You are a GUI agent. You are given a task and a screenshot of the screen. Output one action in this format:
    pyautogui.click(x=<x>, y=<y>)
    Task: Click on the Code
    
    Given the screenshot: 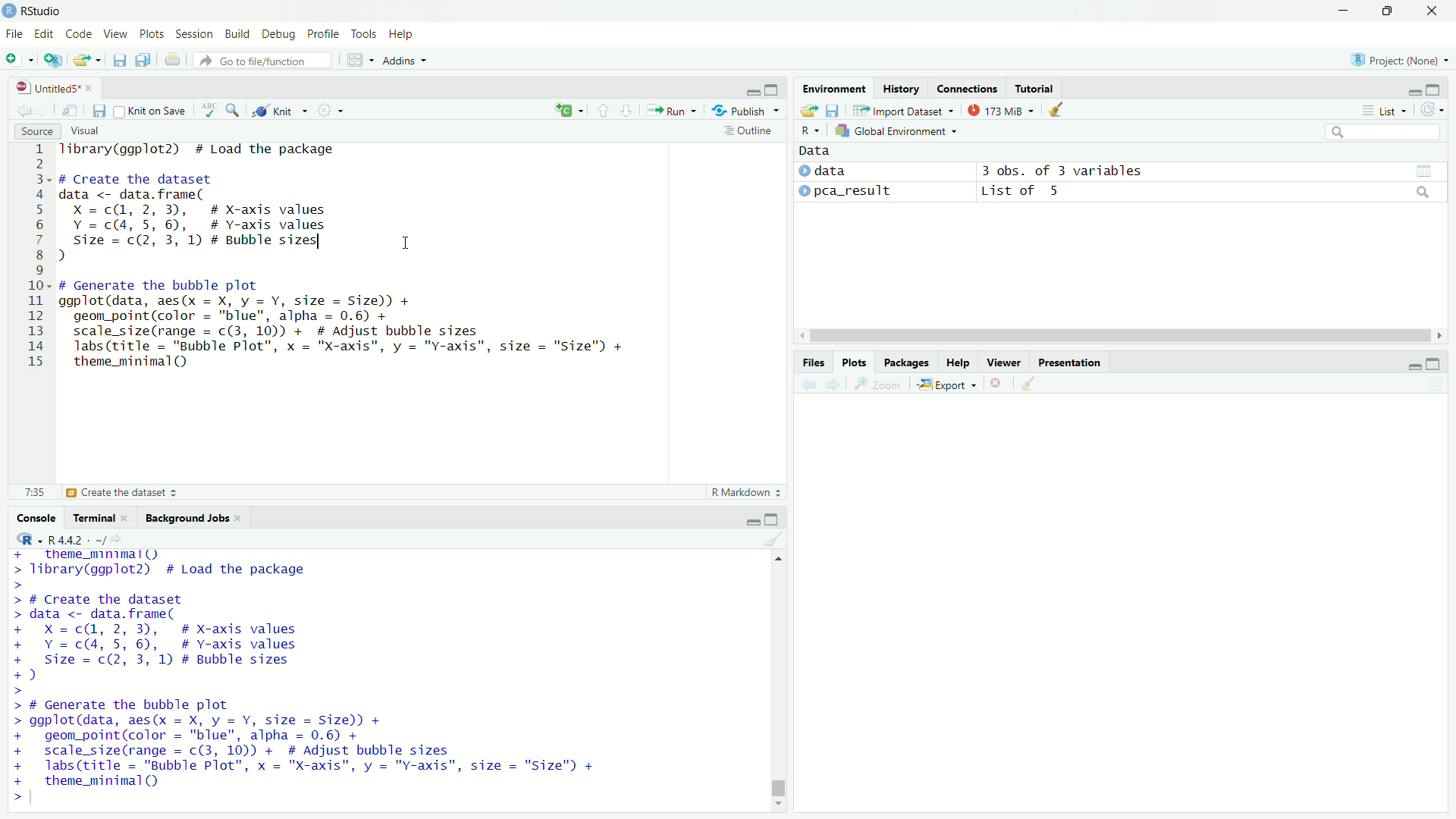 What is the action you would take?
    pyautogui.click(x=82, y=35)
    